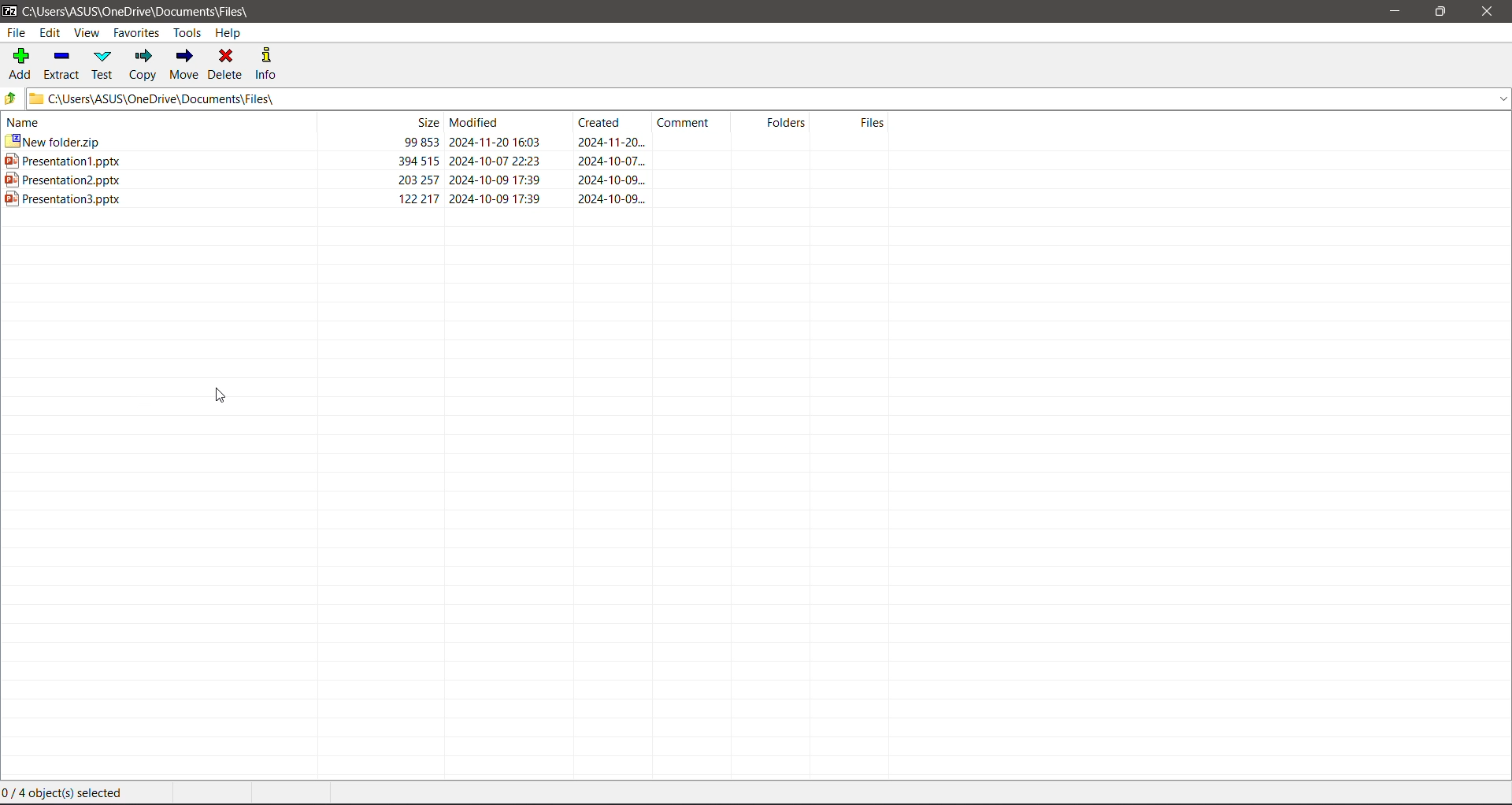 The image size is (1512, 805). I want to click on folders, so click(771, 121).